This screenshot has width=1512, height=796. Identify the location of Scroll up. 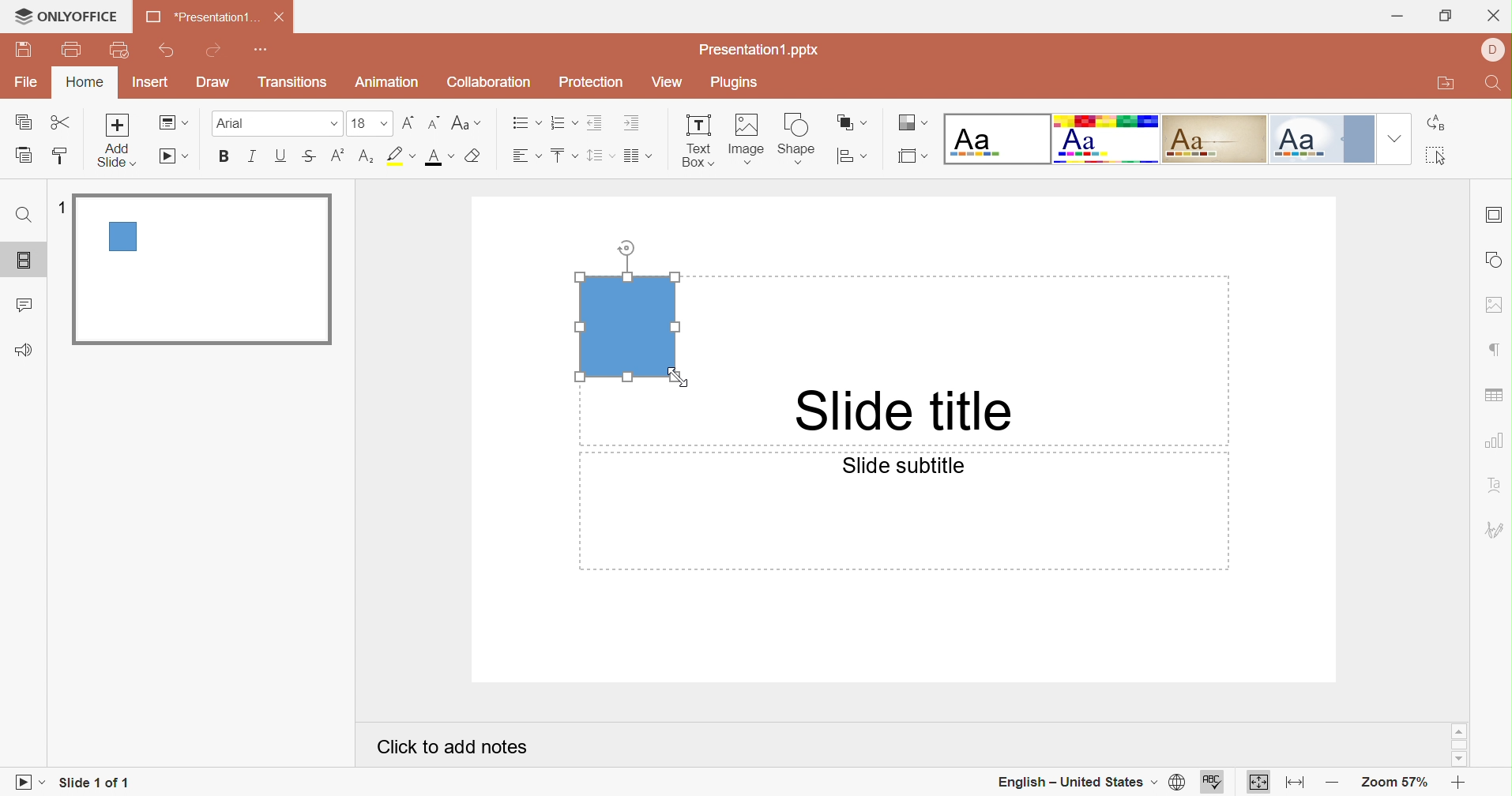
(1457, 730).